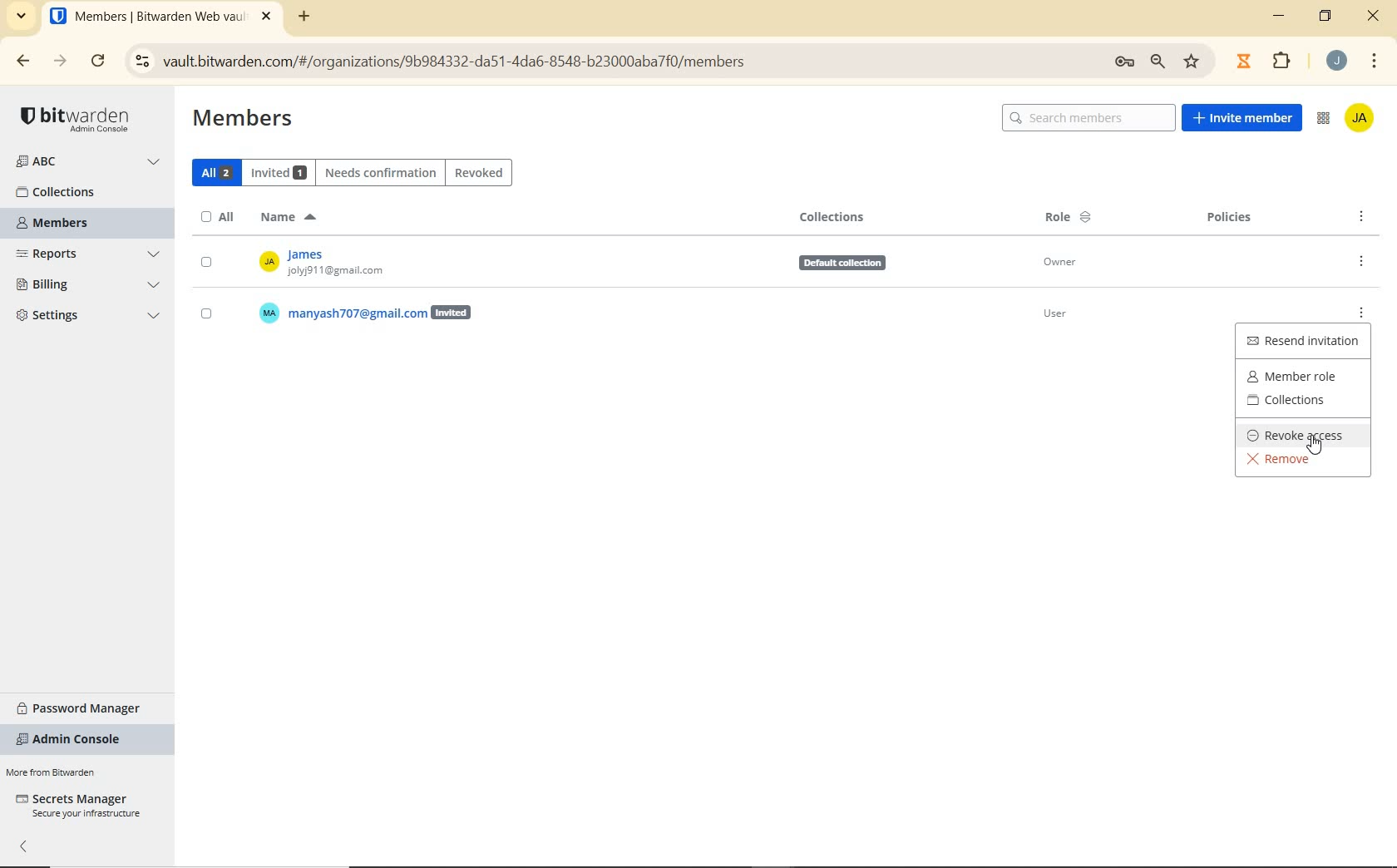 This screenshot has height=868, width=1397. What do you see at coordinates (1303, 403) in the screenshot?
I see `COLLECTIONS` at bounding box center [1303, 403].